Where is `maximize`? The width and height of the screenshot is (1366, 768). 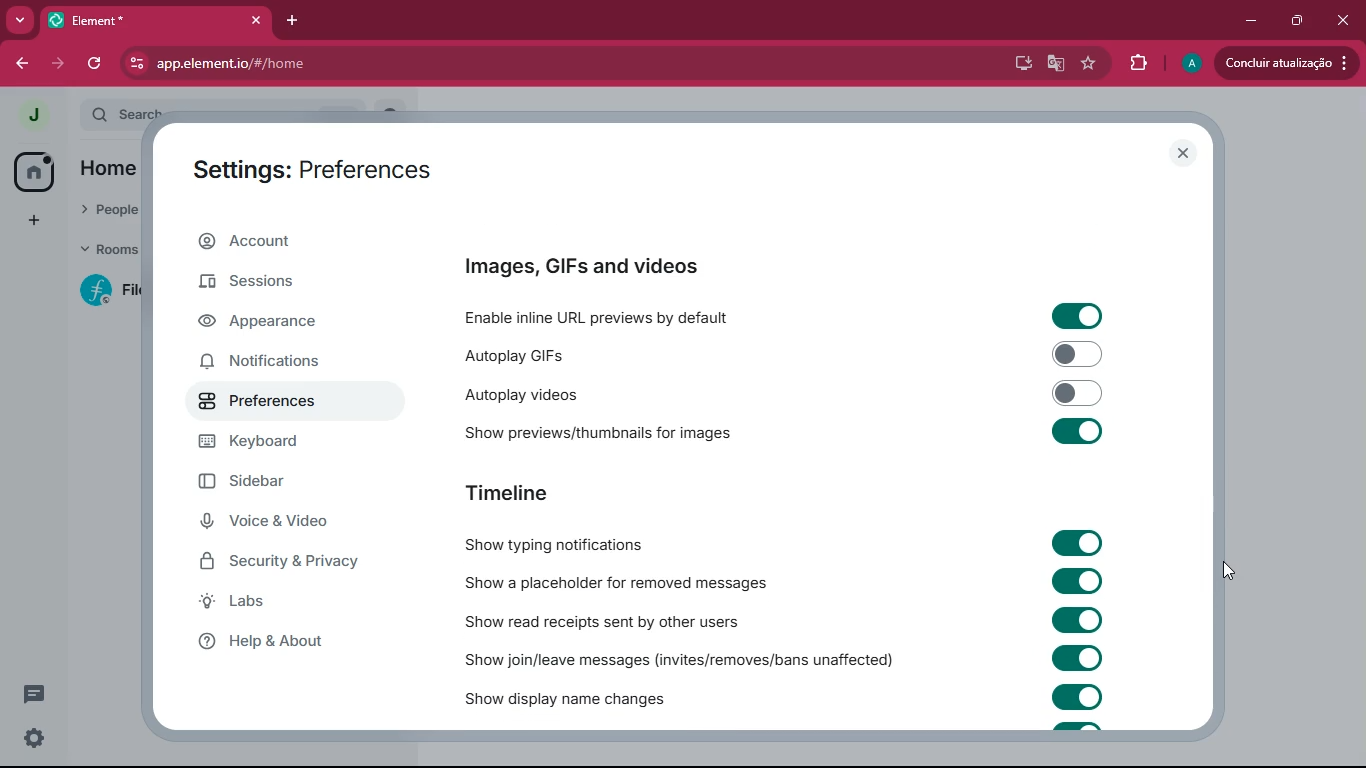
maximize is located at coordinates (1298, 21).